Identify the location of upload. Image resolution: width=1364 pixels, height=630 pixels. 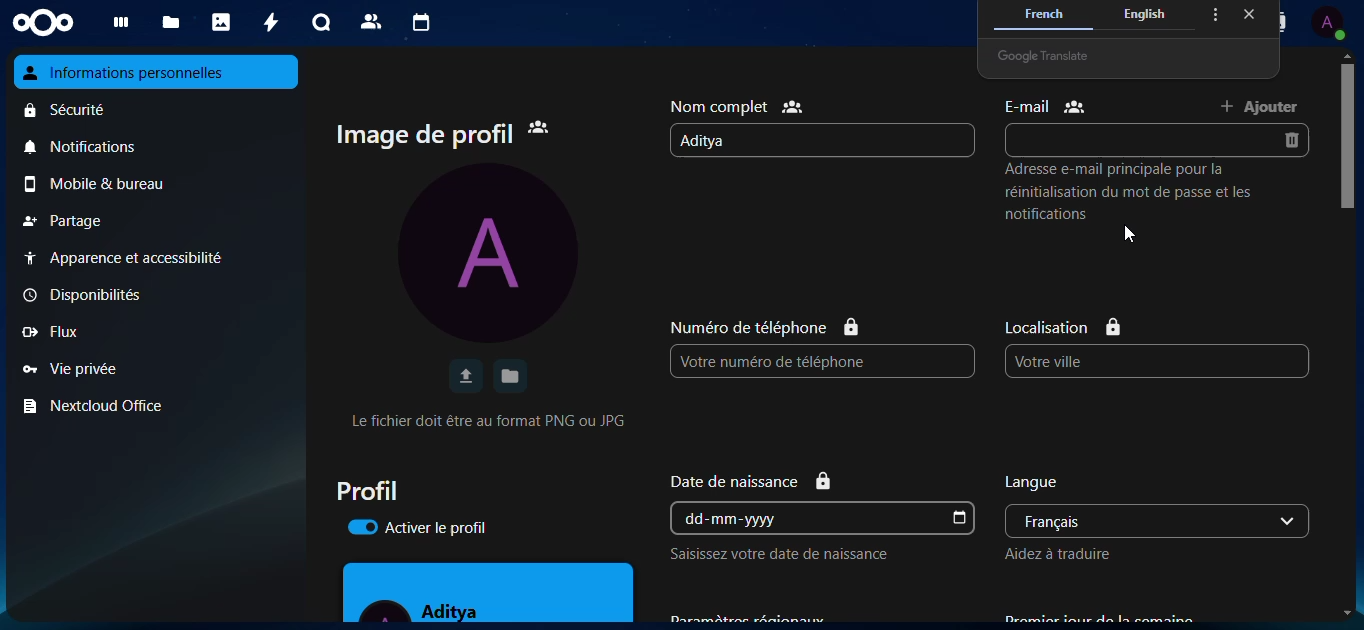
(465, 377).